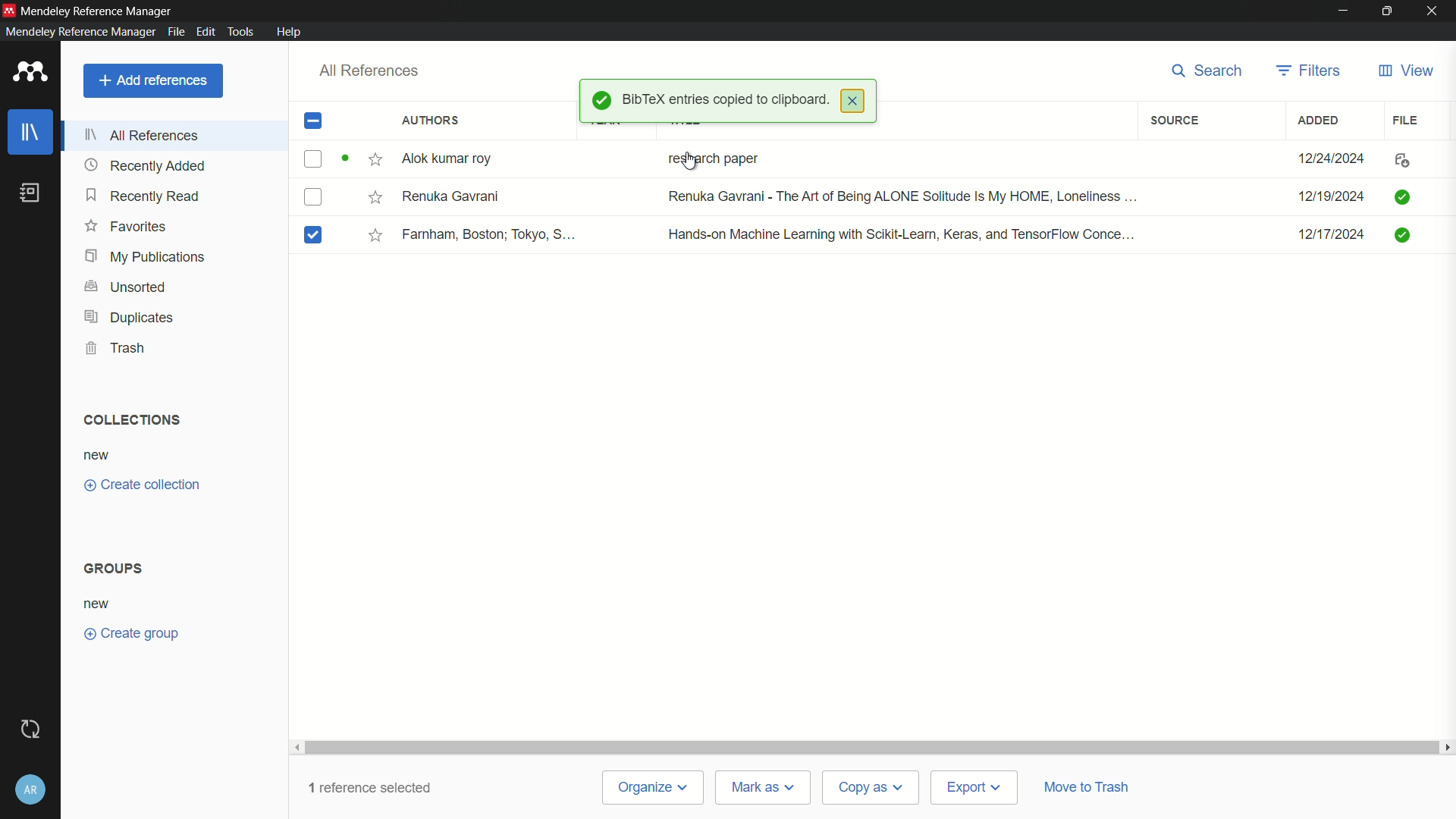  What do you see at coordinates (492, 234) in the screenshot?
I see `Famham, Boston; Tokyo S...` at bounding box center [492, 234].